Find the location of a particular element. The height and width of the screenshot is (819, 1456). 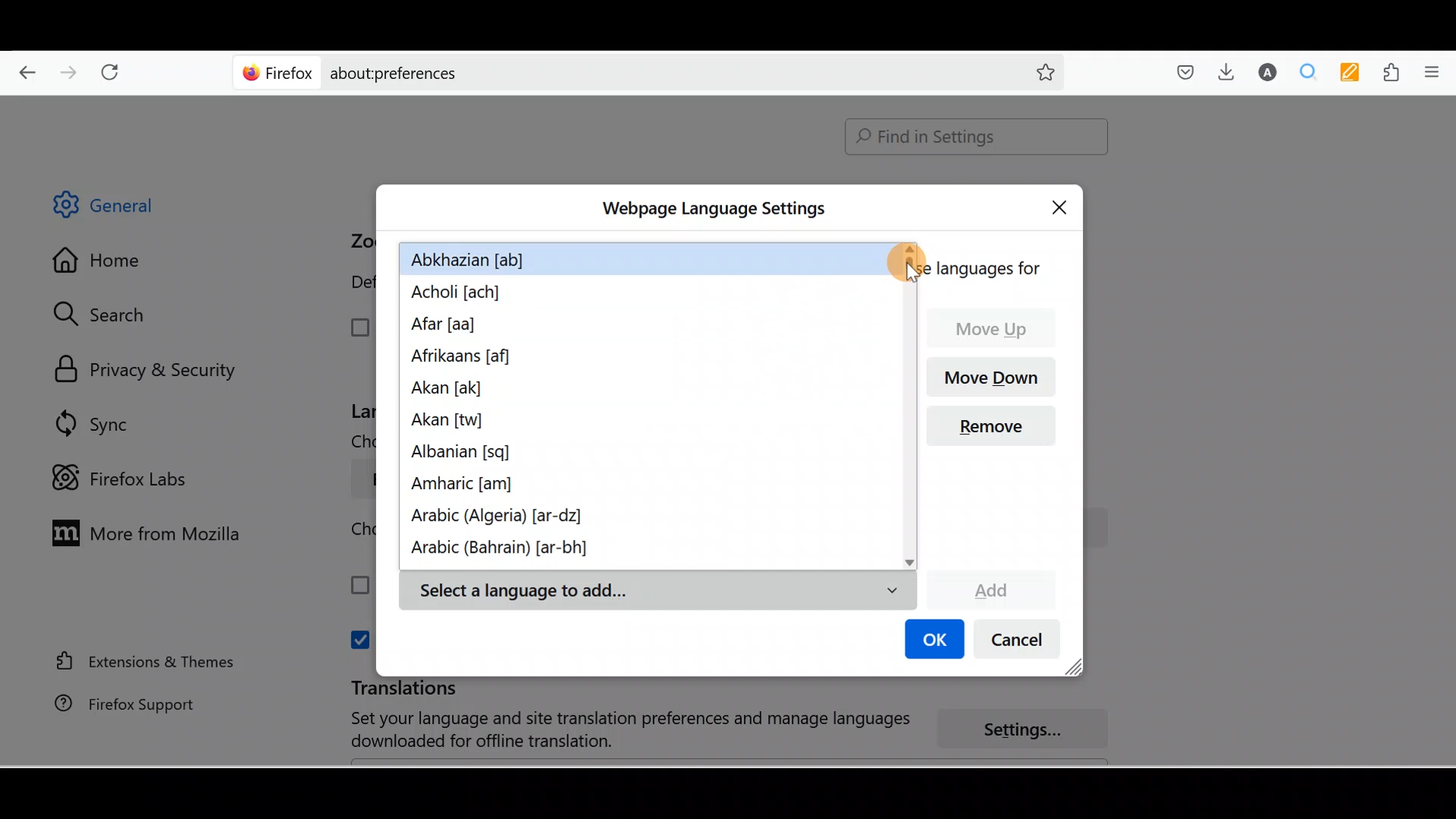

Set your language and site translation preferences and manage language download for offline translation. is located at coordinates (616, 730).